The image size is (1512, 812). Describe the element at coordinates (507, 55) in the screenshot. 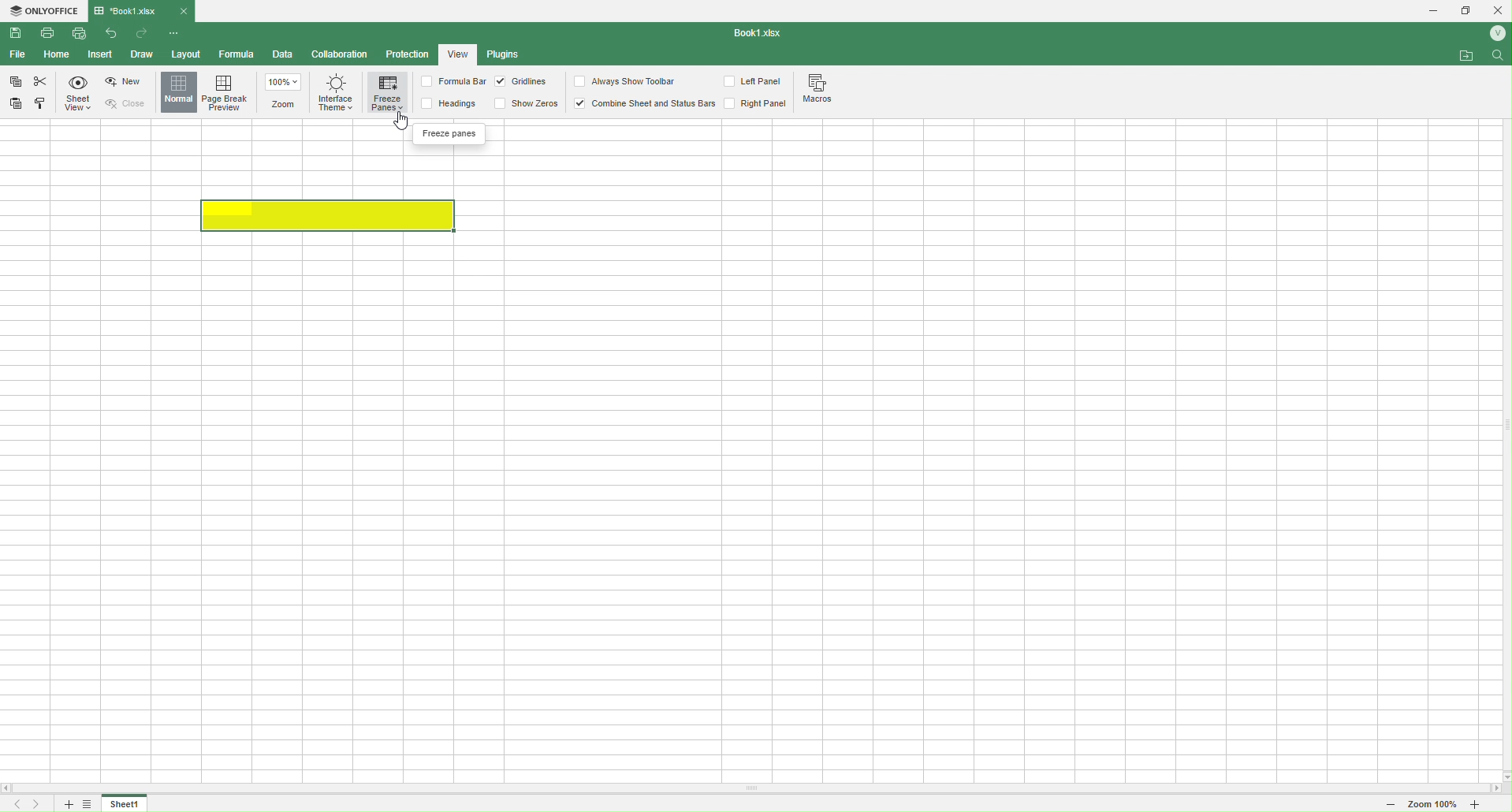

I see `Plugins` at that location.